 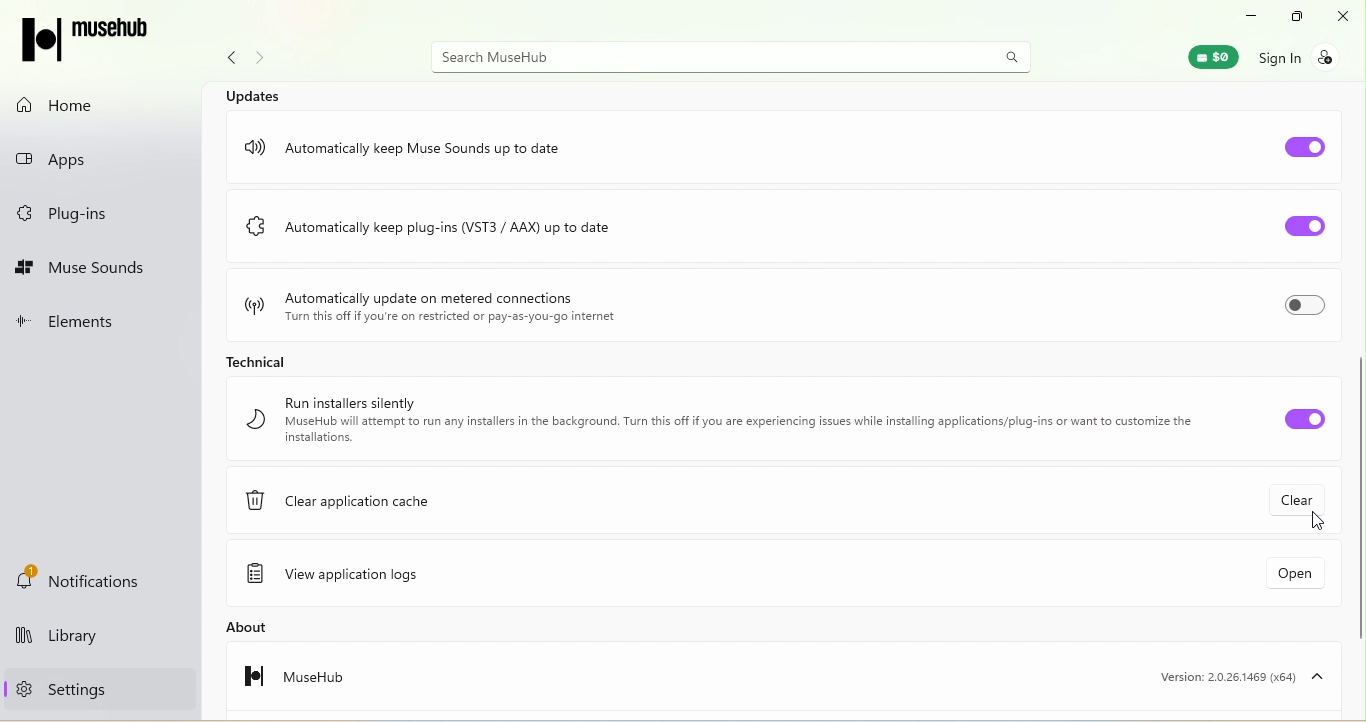 I want to click on Run installers silently MuseHub will attempt to run any installers in the background. Turn this off if you are experiencing issues while installing applications plug-ins or want to customize the installations., so click(x=717, y=420).